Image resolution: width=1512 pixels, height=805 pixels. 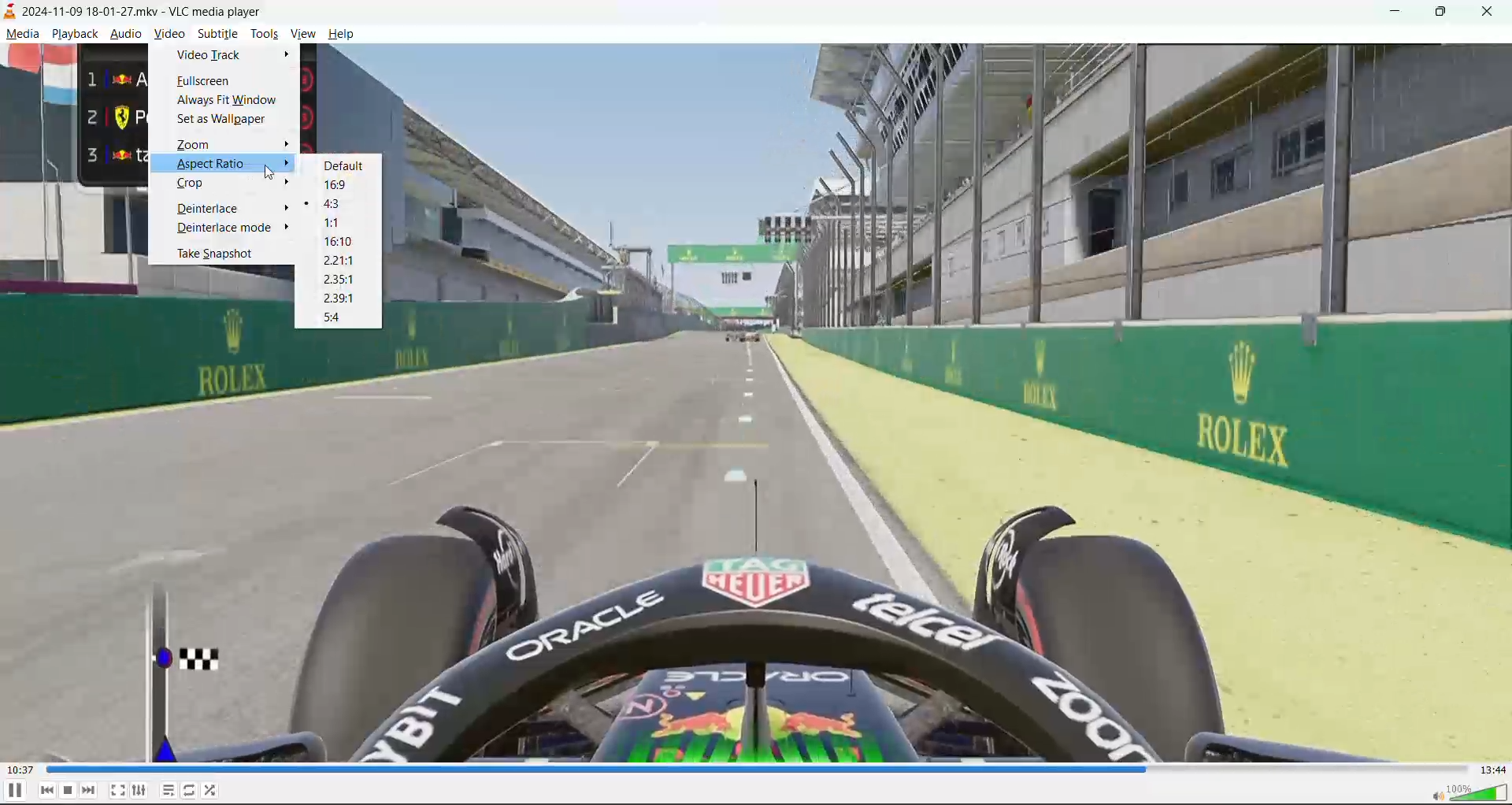 I want to click on default, so click(x=348, y=165).